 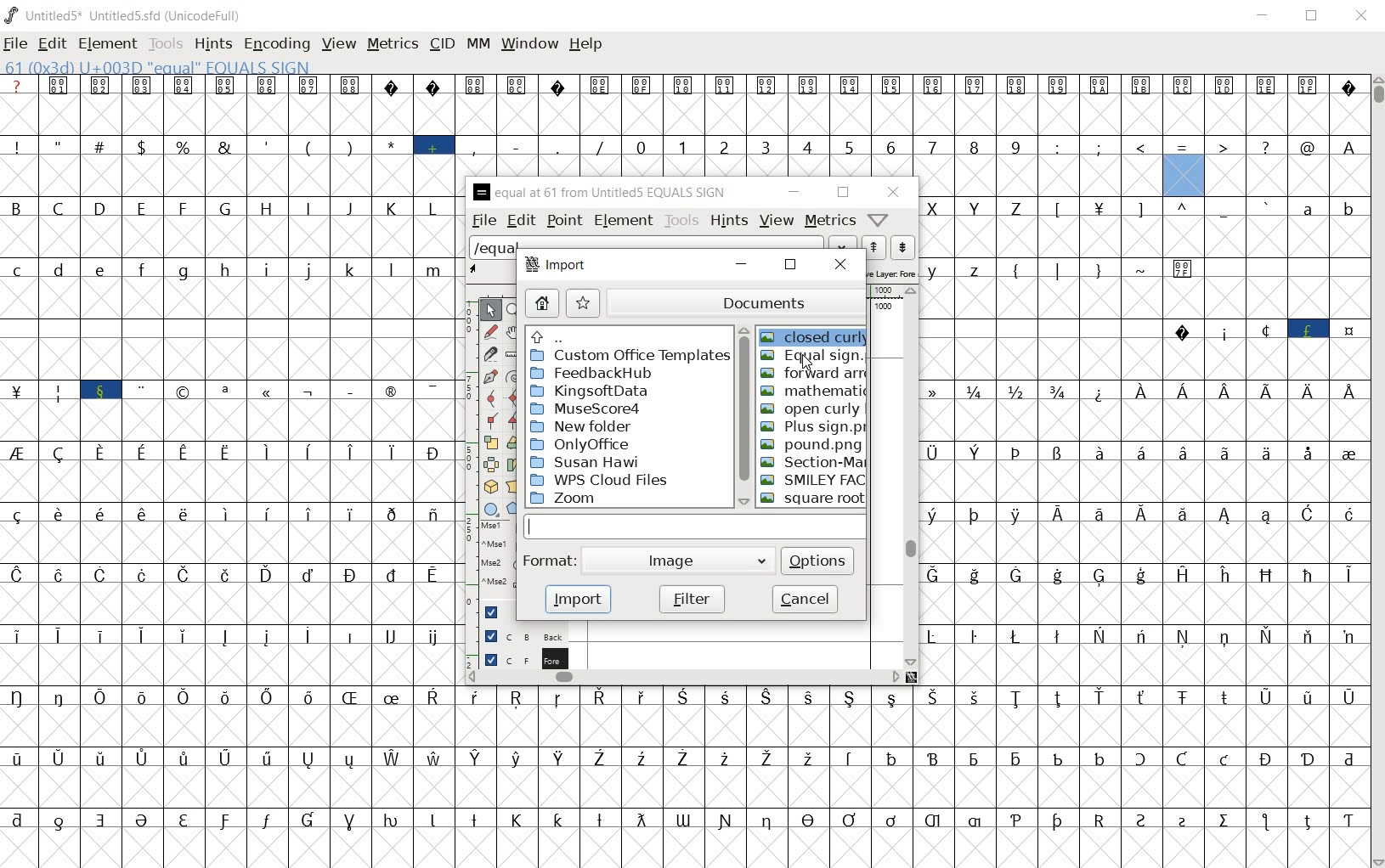 What do you see at coordinates (489, 613) in the screenshot?
I see `Guide` at bounding box center [489, 613].